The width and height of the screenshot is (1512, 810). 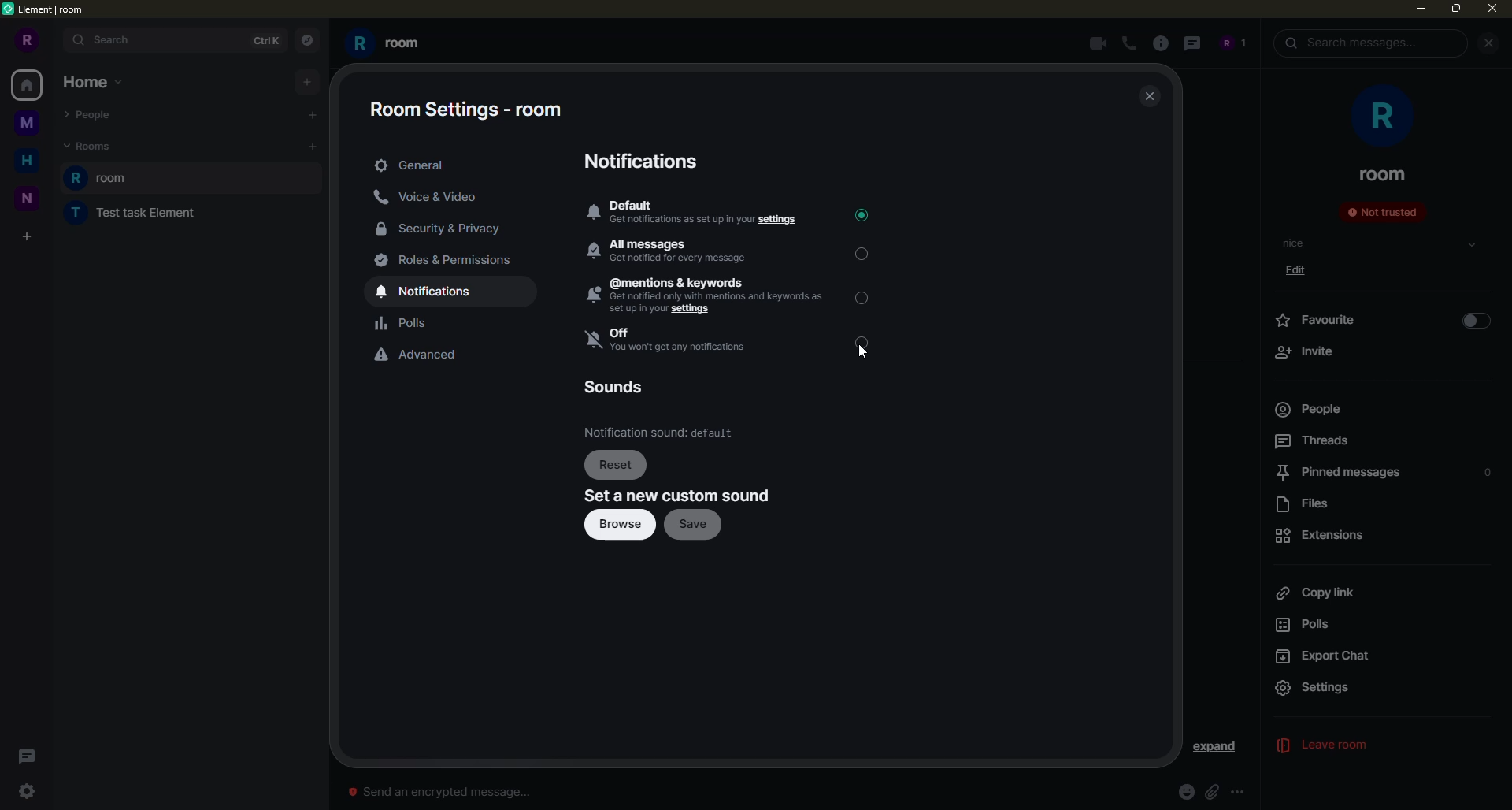 I want to click on extensions, so click(x=1323, y=535).